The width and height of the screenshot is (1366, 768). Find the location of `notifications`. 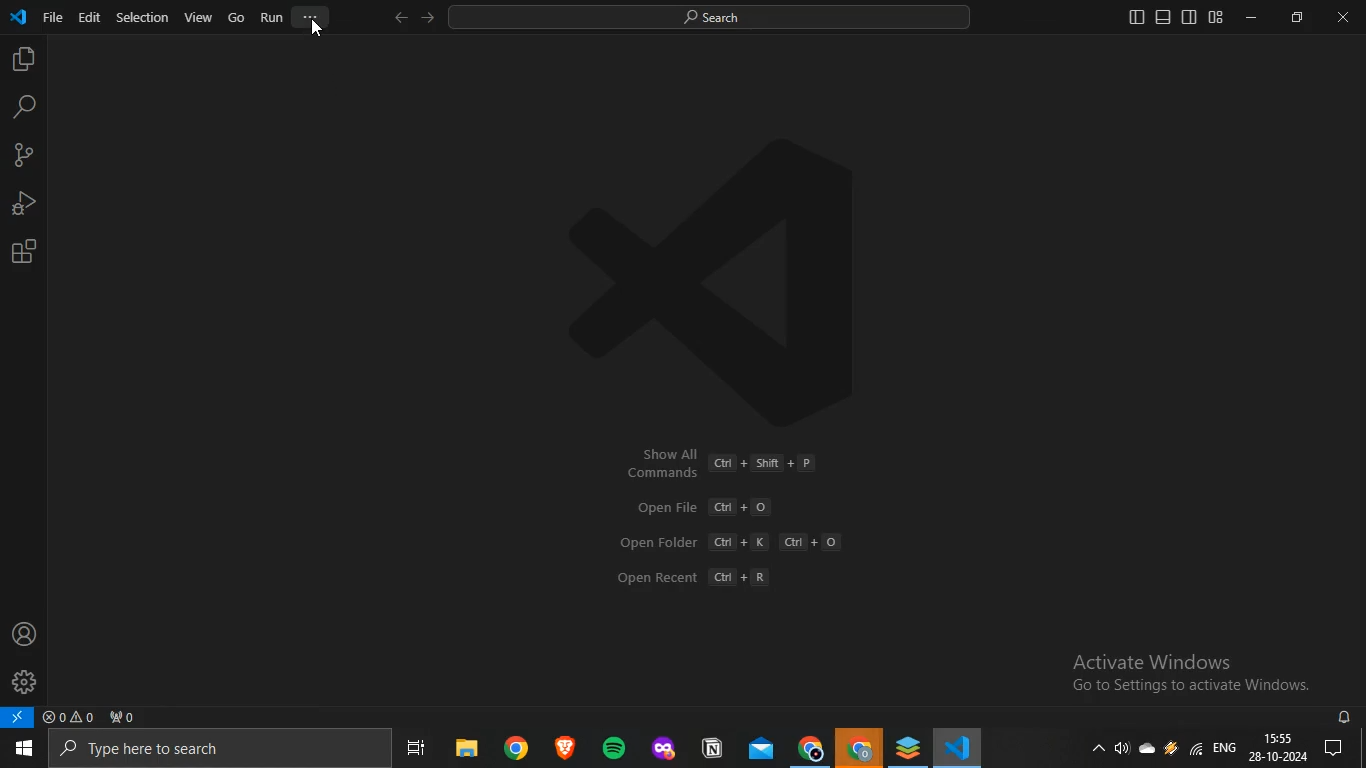

notifications is located at coordinates (1346, 718).